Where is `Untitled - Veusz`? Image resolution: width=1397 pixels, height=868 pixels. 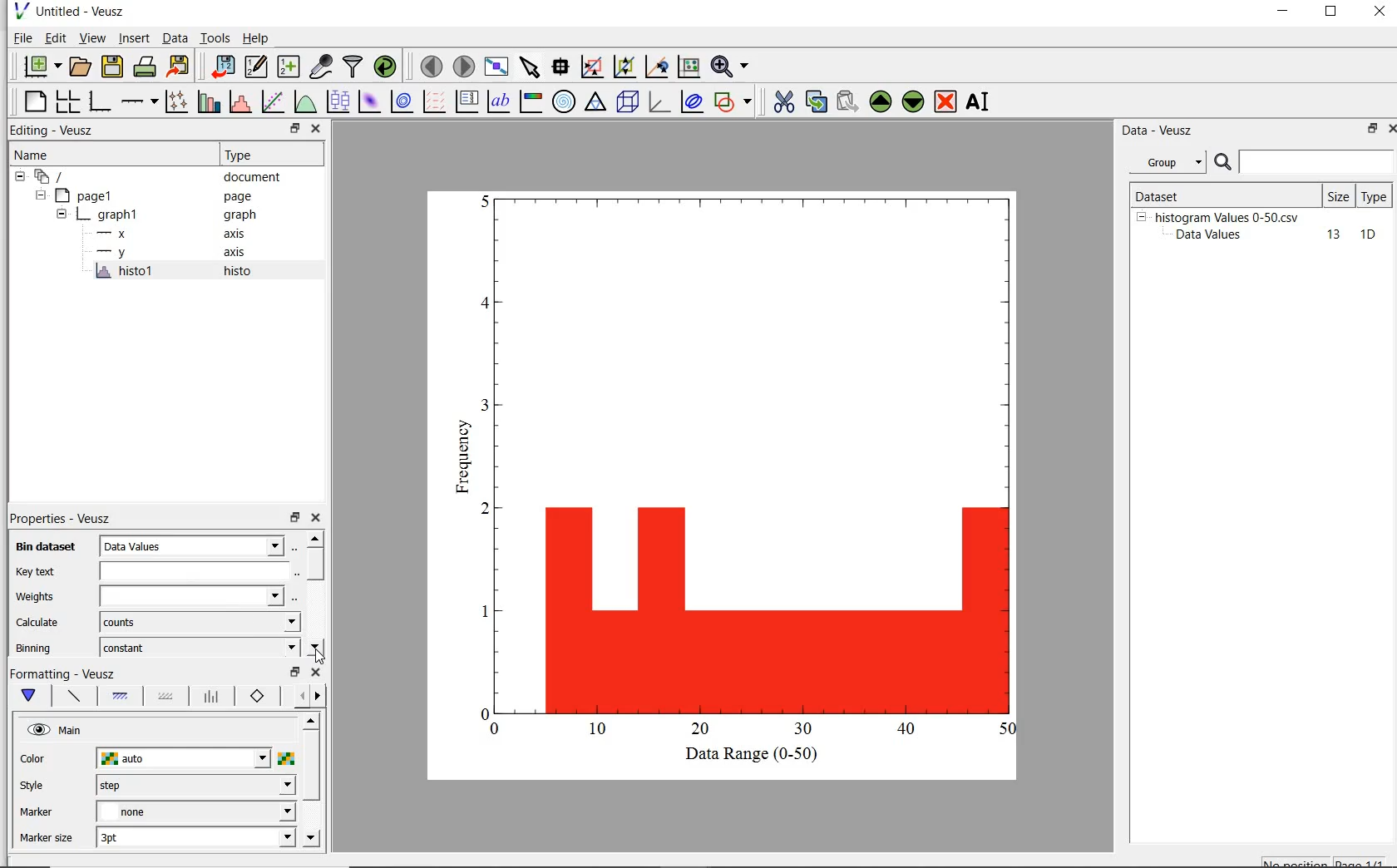 Untitled - Veusz is located at coordinates (84, 11).